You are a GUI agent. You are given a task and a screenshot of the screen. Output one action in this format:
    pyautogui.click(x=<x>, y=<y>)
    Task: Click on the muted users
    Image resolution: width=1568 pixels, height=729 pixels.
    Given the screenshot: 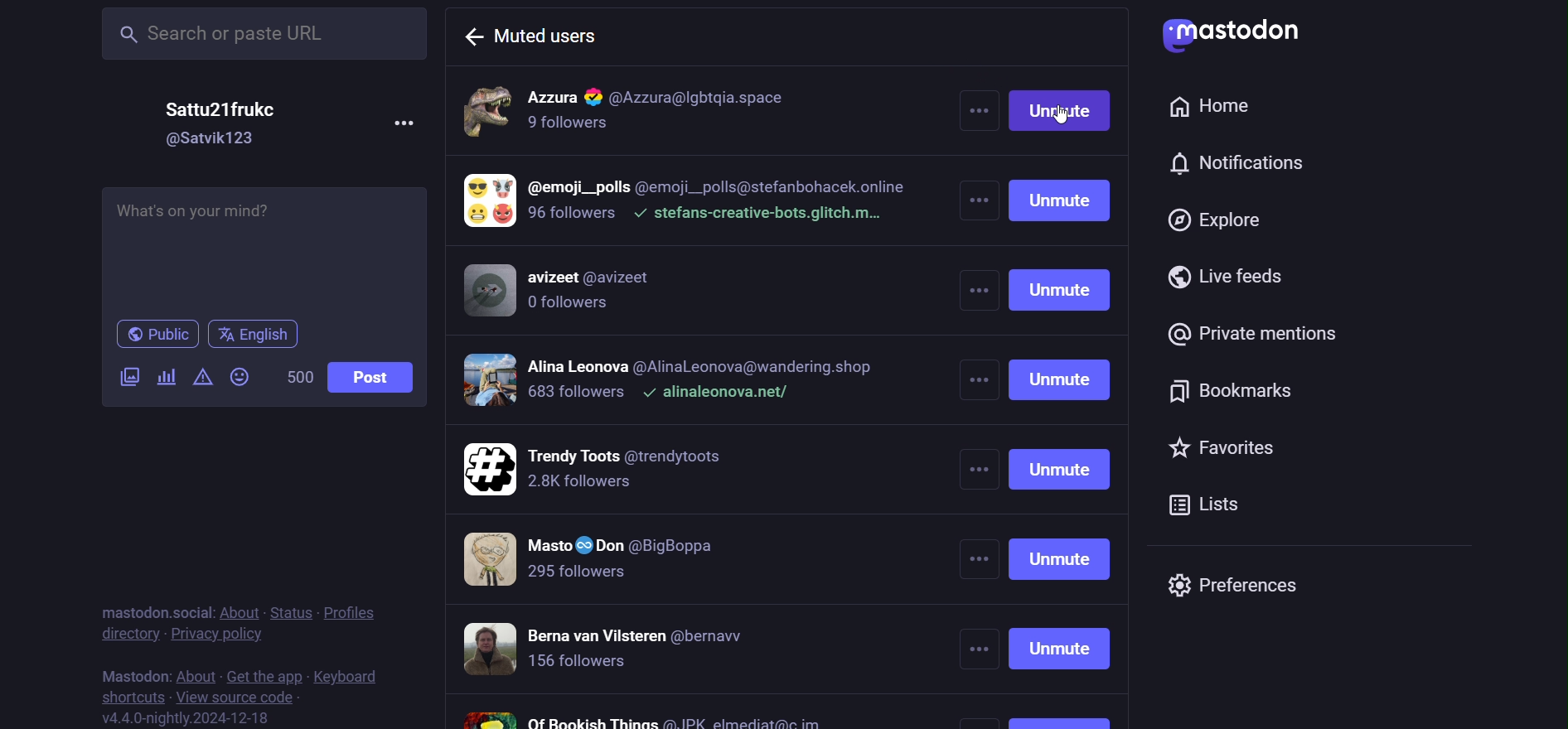 What is the action you would take?
    pyautogui.click(x=532, y=33)
    